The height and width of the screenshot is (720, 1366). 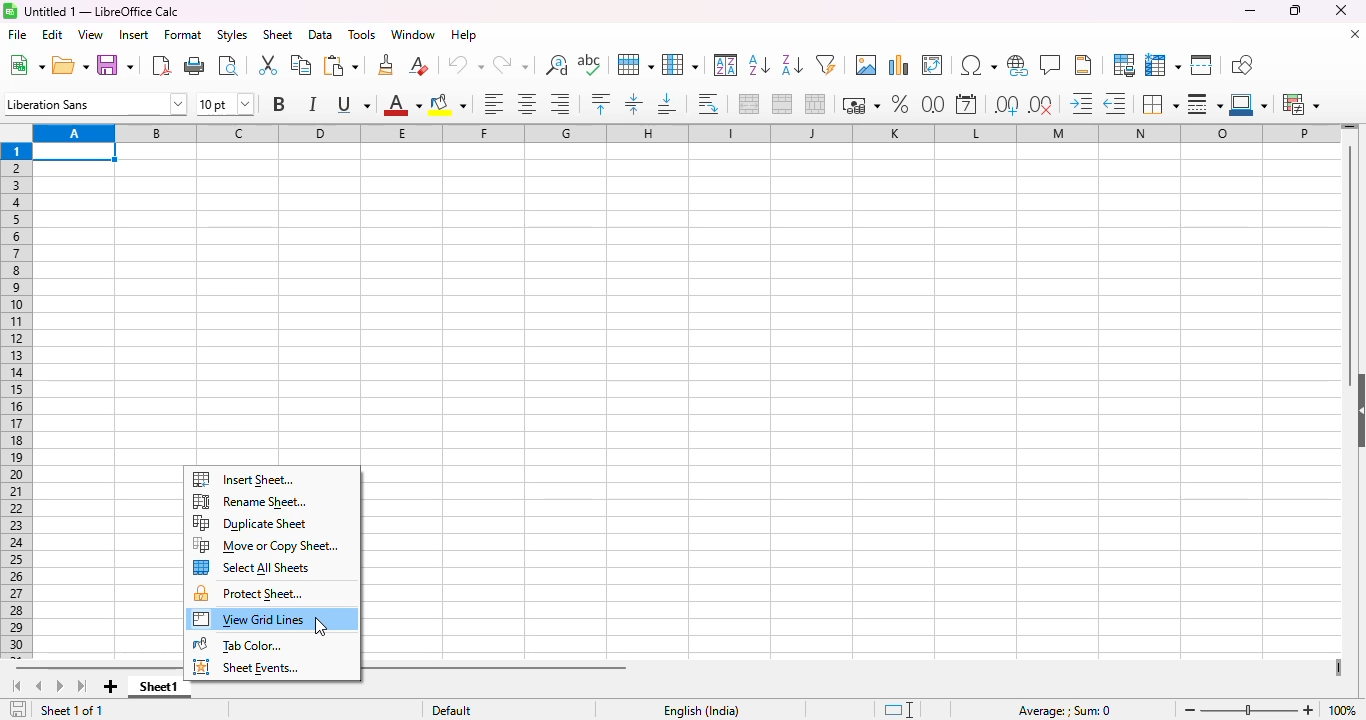 I want to click on scroll to next sheet, so click(x=58, y=687).